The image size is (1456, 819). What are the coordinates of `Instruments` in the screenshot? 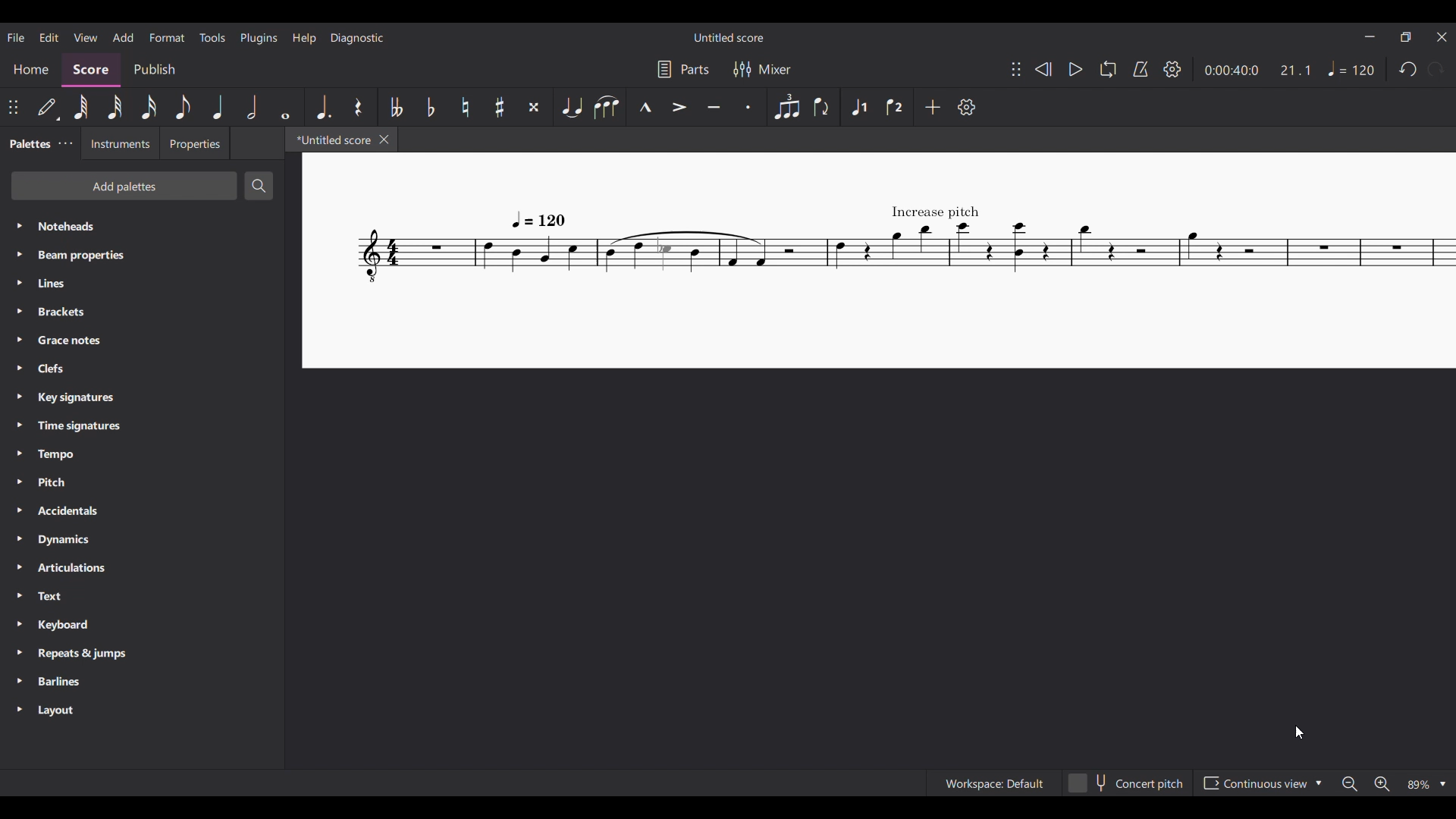 It's located at (118, 143).